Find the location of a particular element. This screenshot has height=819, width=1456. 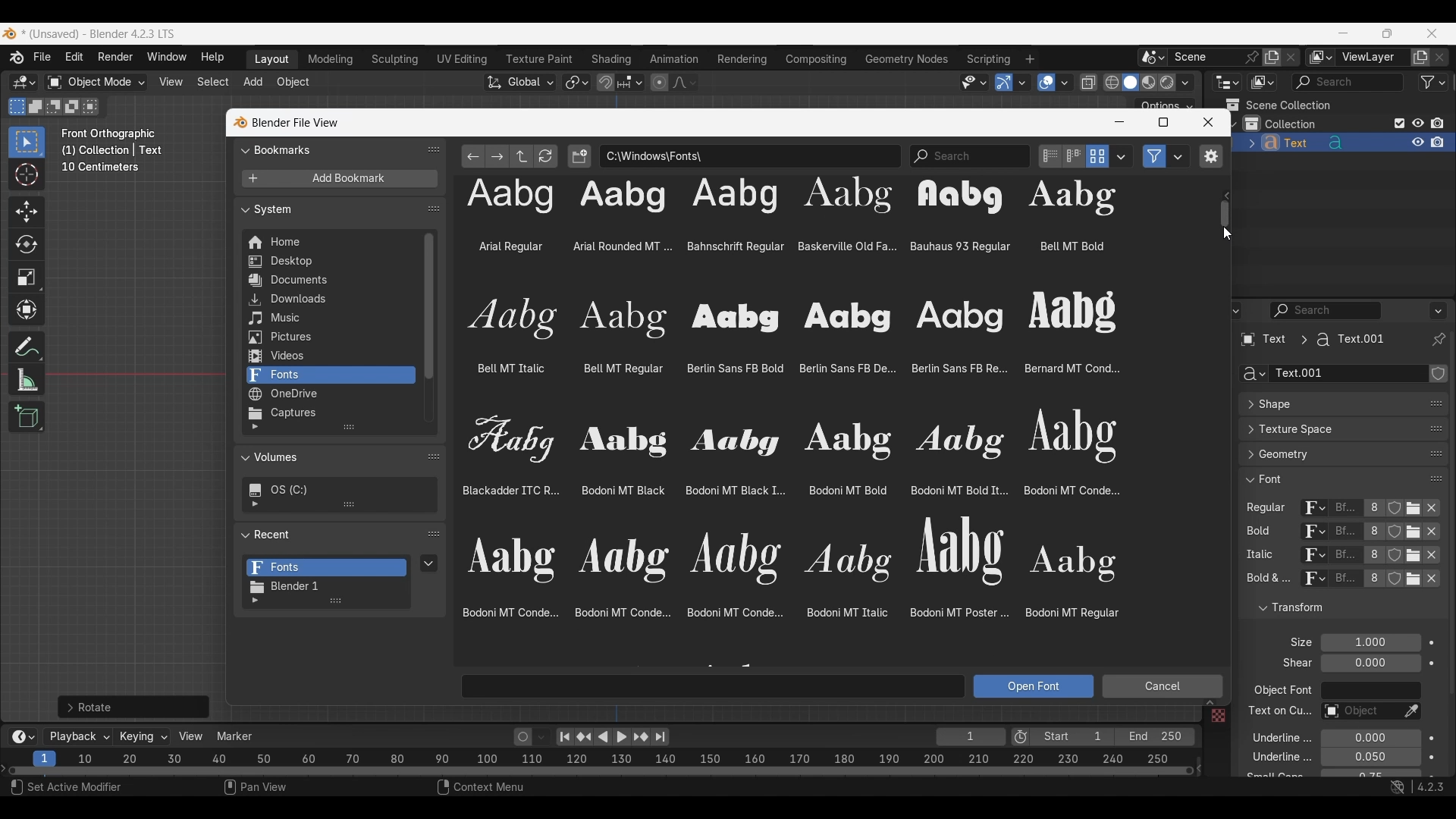

Click to expand Light Probes is located at coordinates (1291, 642).